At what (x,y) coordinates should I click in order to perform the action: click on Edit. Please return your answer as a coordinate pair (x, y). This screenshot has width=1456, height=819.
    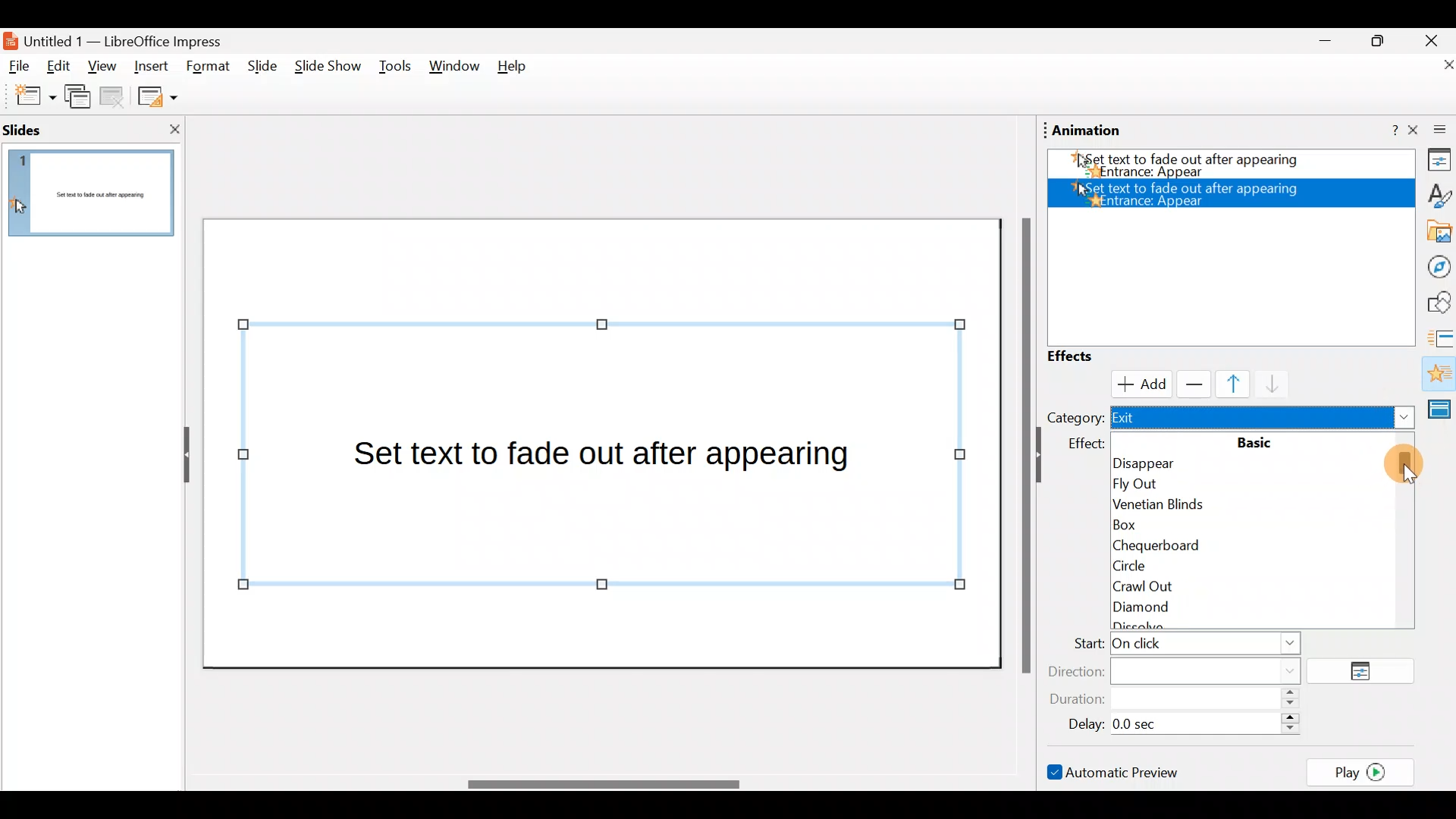
    Looking at the image, I should click on (64, 67).